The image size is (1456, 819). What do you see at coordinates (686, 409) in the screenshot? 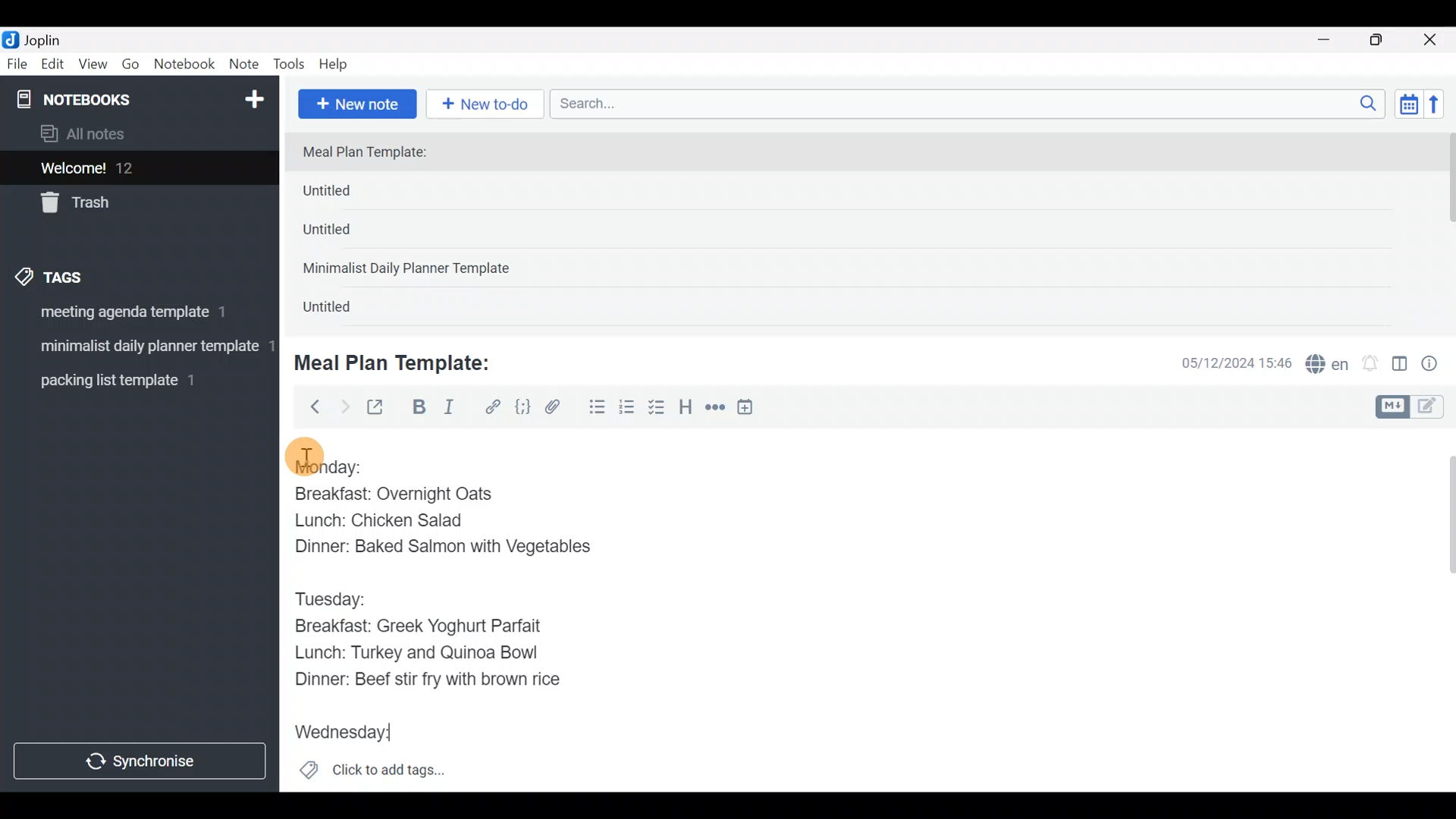
I see `Heading` at bounding box center [686, 409].